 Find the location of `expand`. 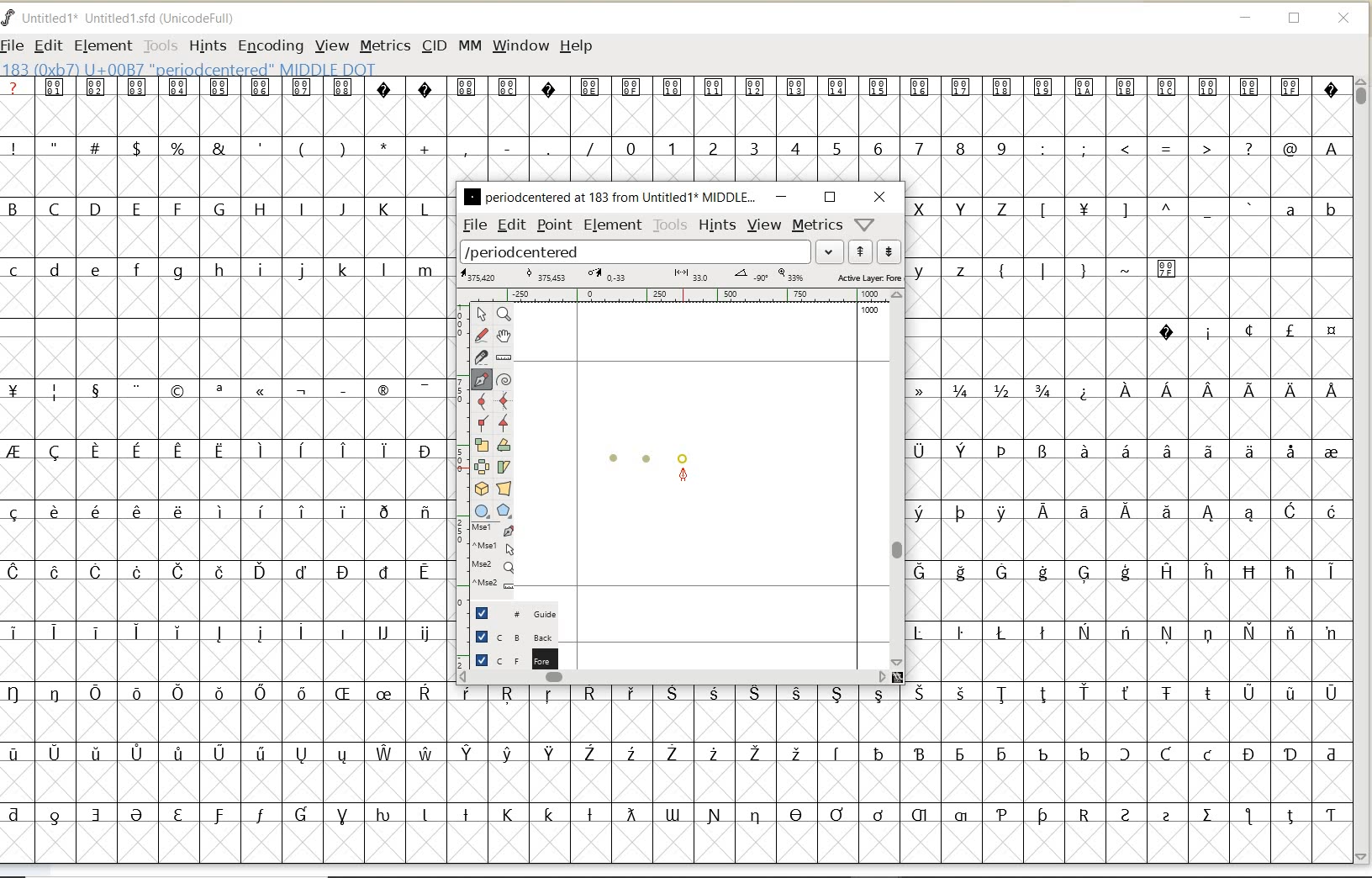

expand is located at coordinates (830, 251).